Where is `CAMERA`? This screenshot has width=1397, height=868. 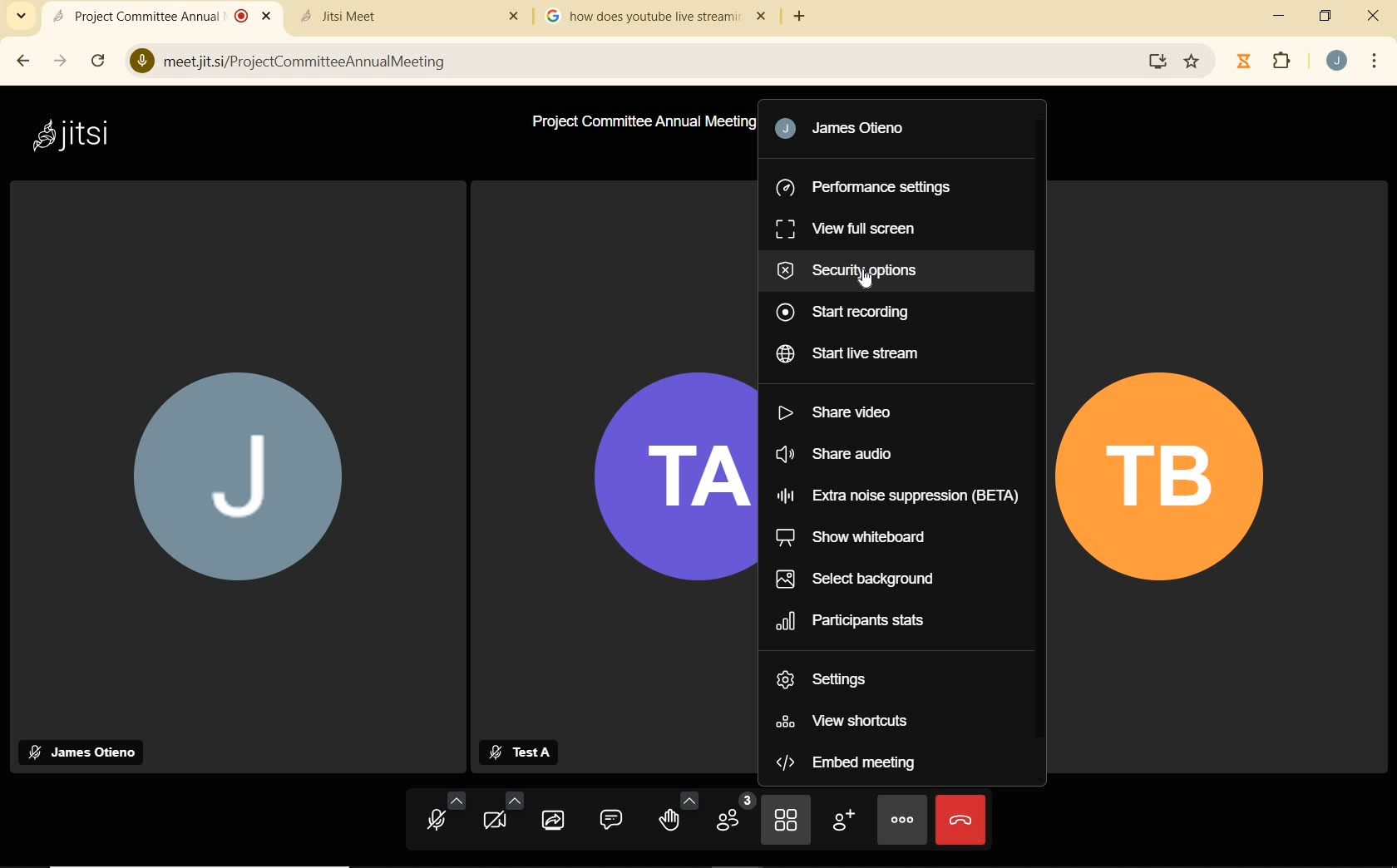
CAMERA is located at coordinates (501, 814).